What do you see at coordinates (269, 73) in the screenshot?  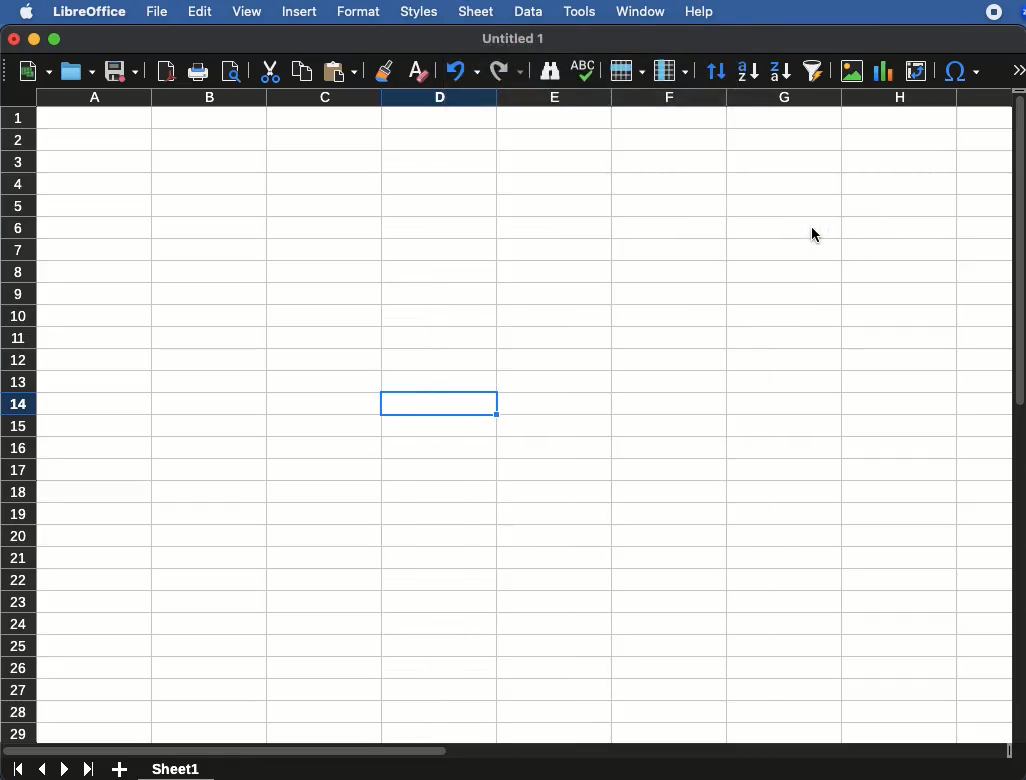 I see `cut` at bounding box center [269, 73].